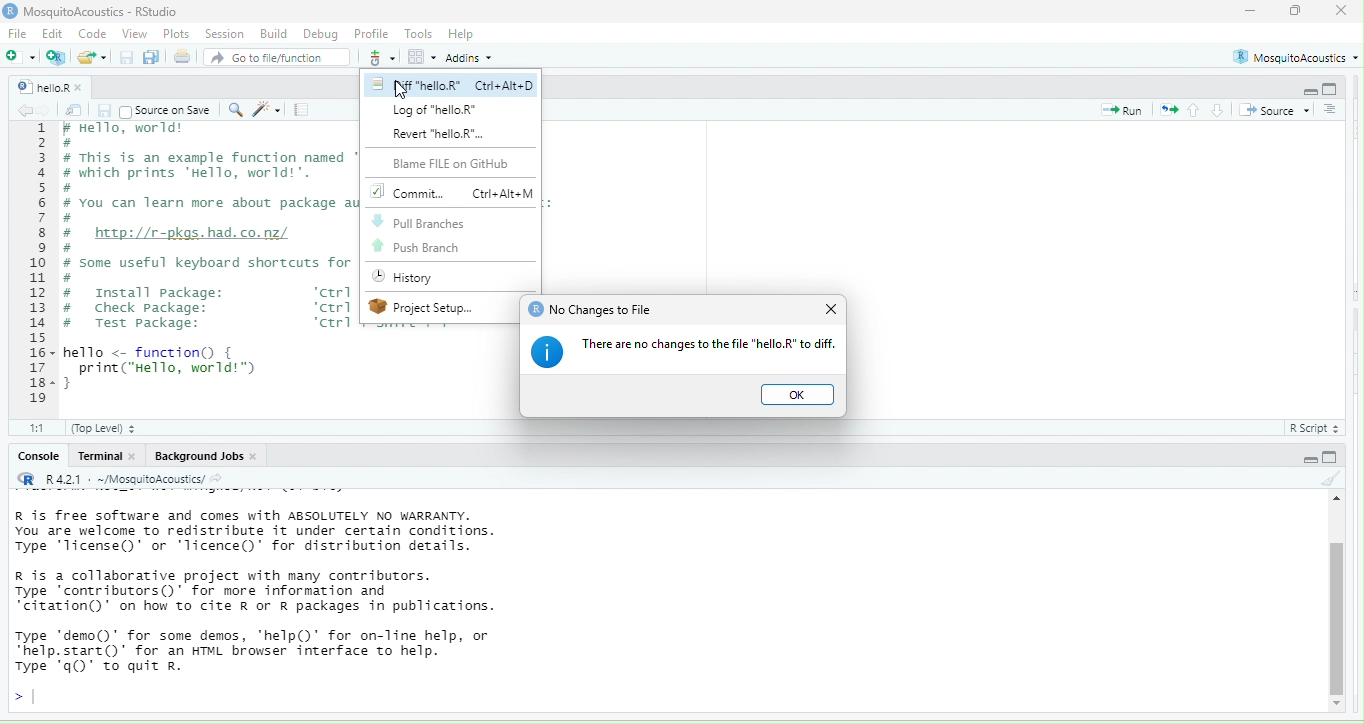  I want to click on clear console, so click(1330, 477).